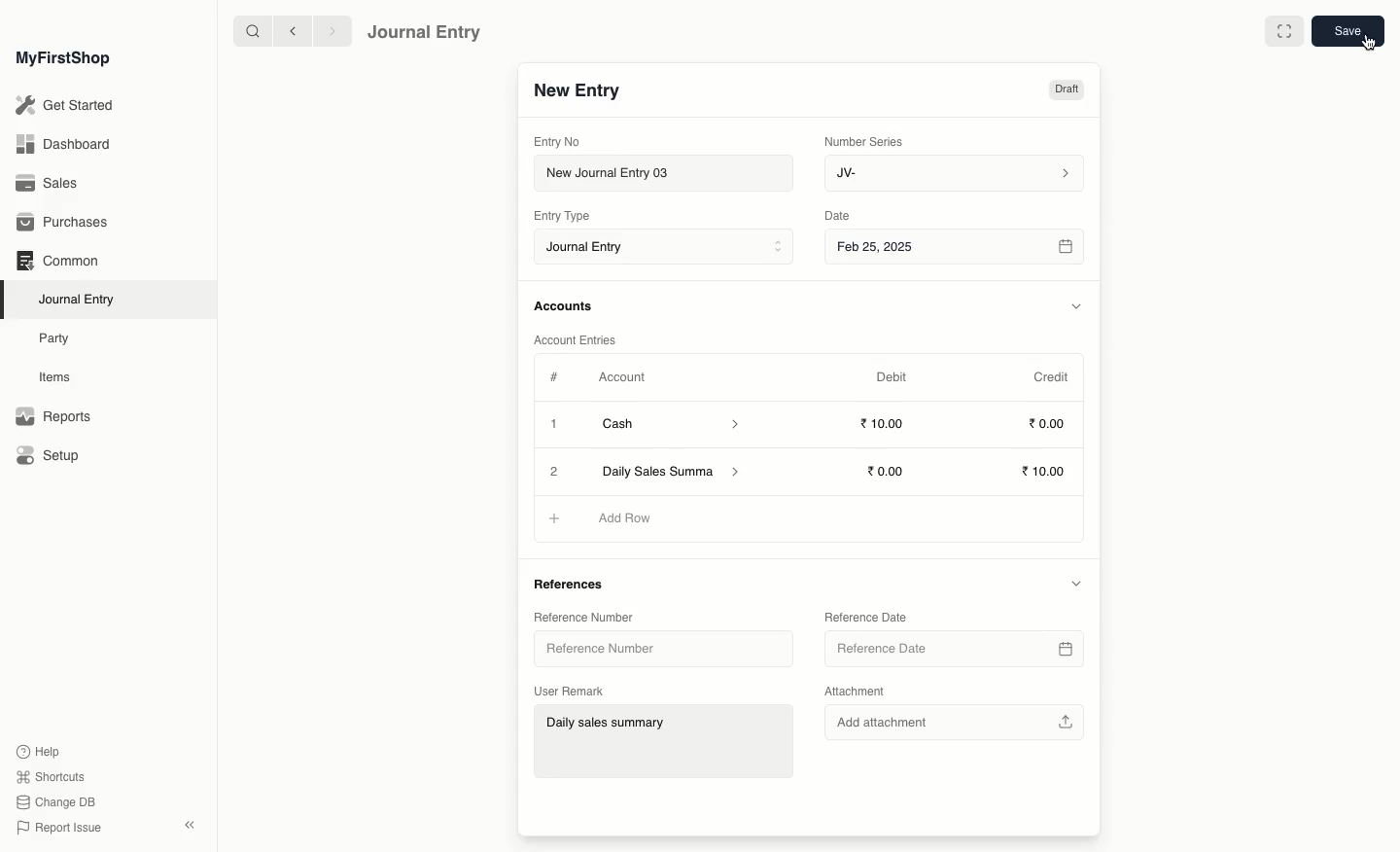 This screenshot has width=1400, height=852. Describe the element at coordinates (50, 457) in the screenshot. I see `Setup` at that location.